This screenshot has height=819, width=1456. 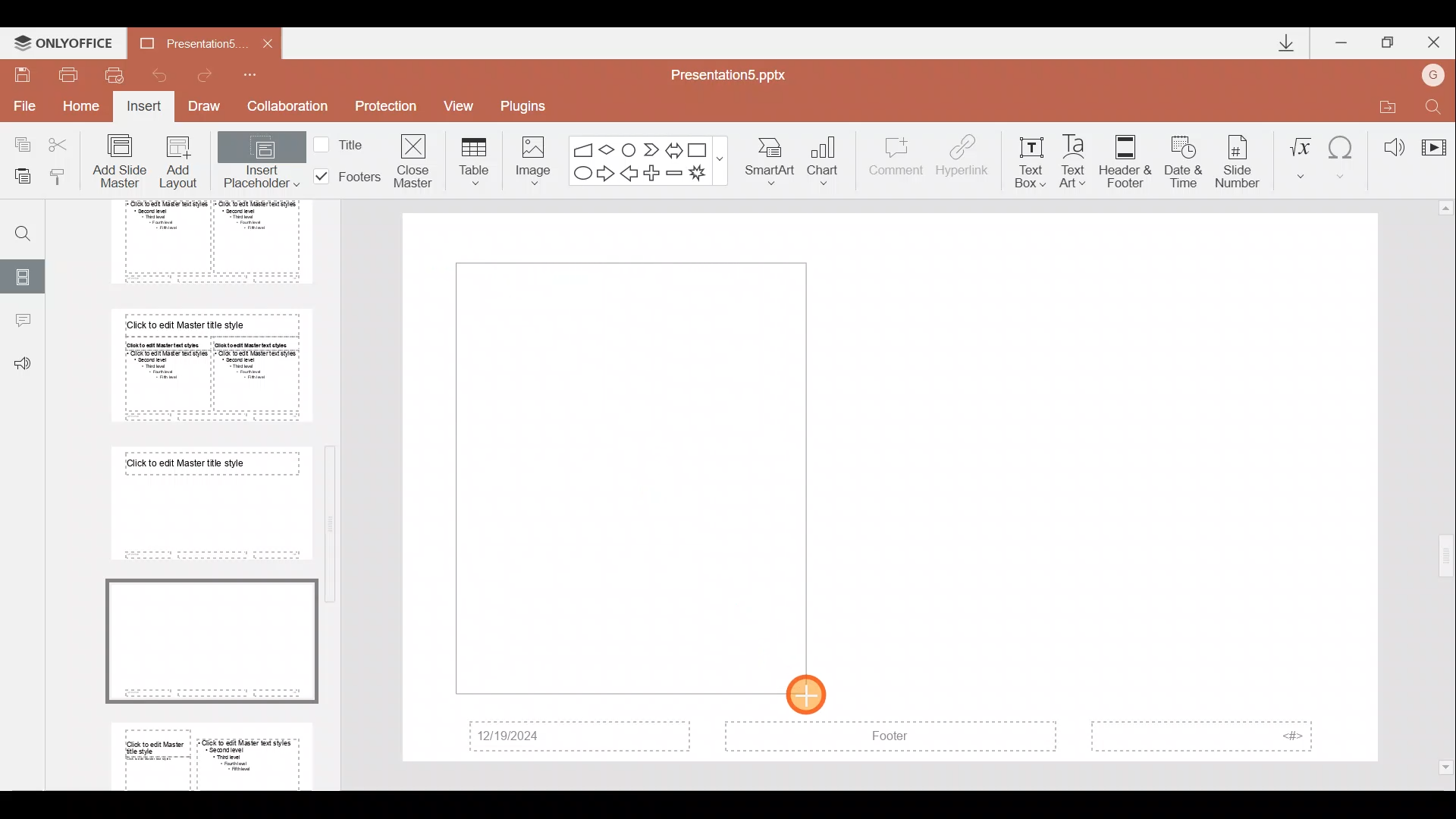 What do you see at coordinates (22, 178) in the screenshot?
I see `Paste` at bounding box center [22, 178].